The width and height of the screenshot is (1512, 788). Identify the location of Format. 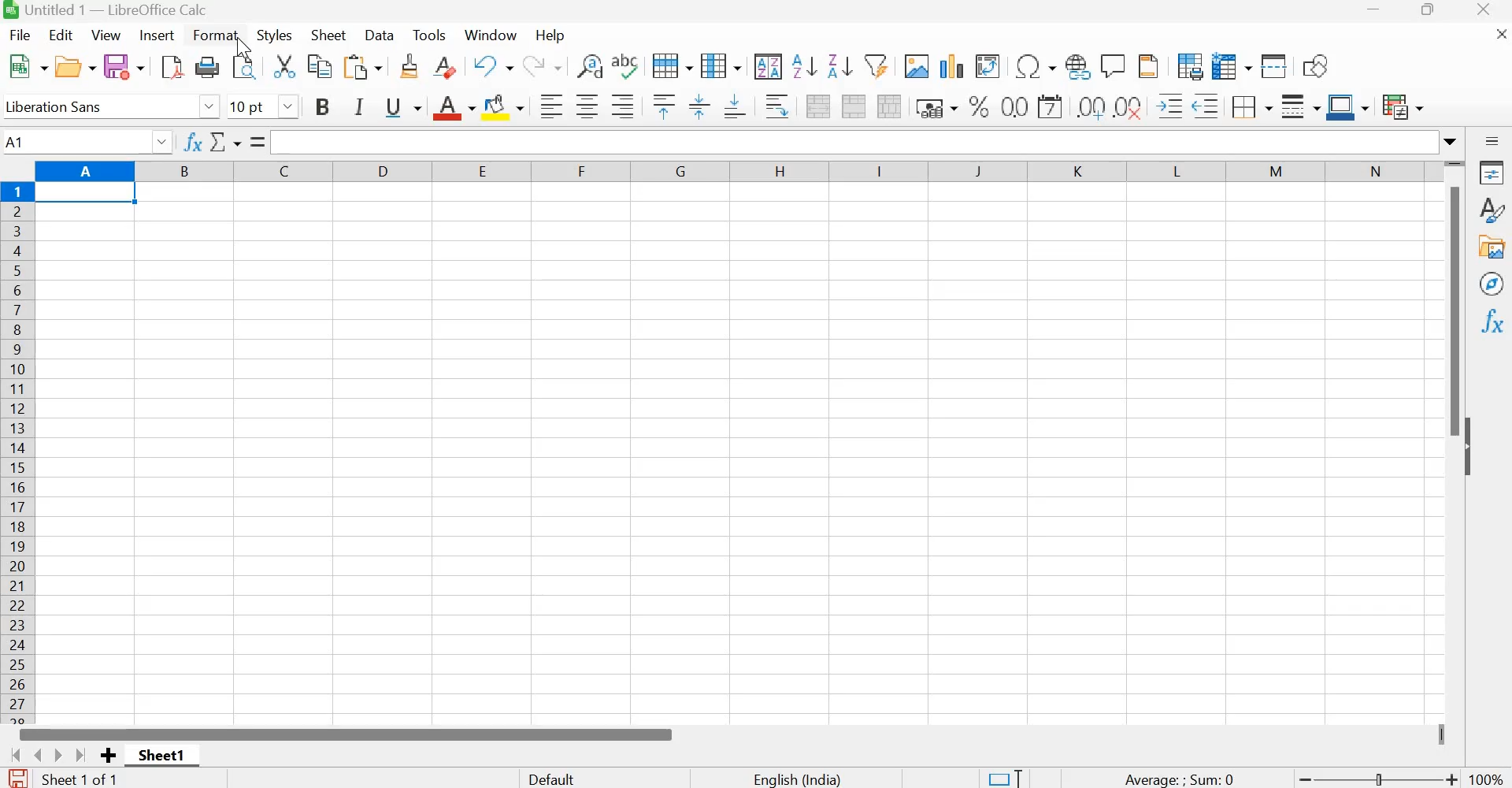
(217, 34).